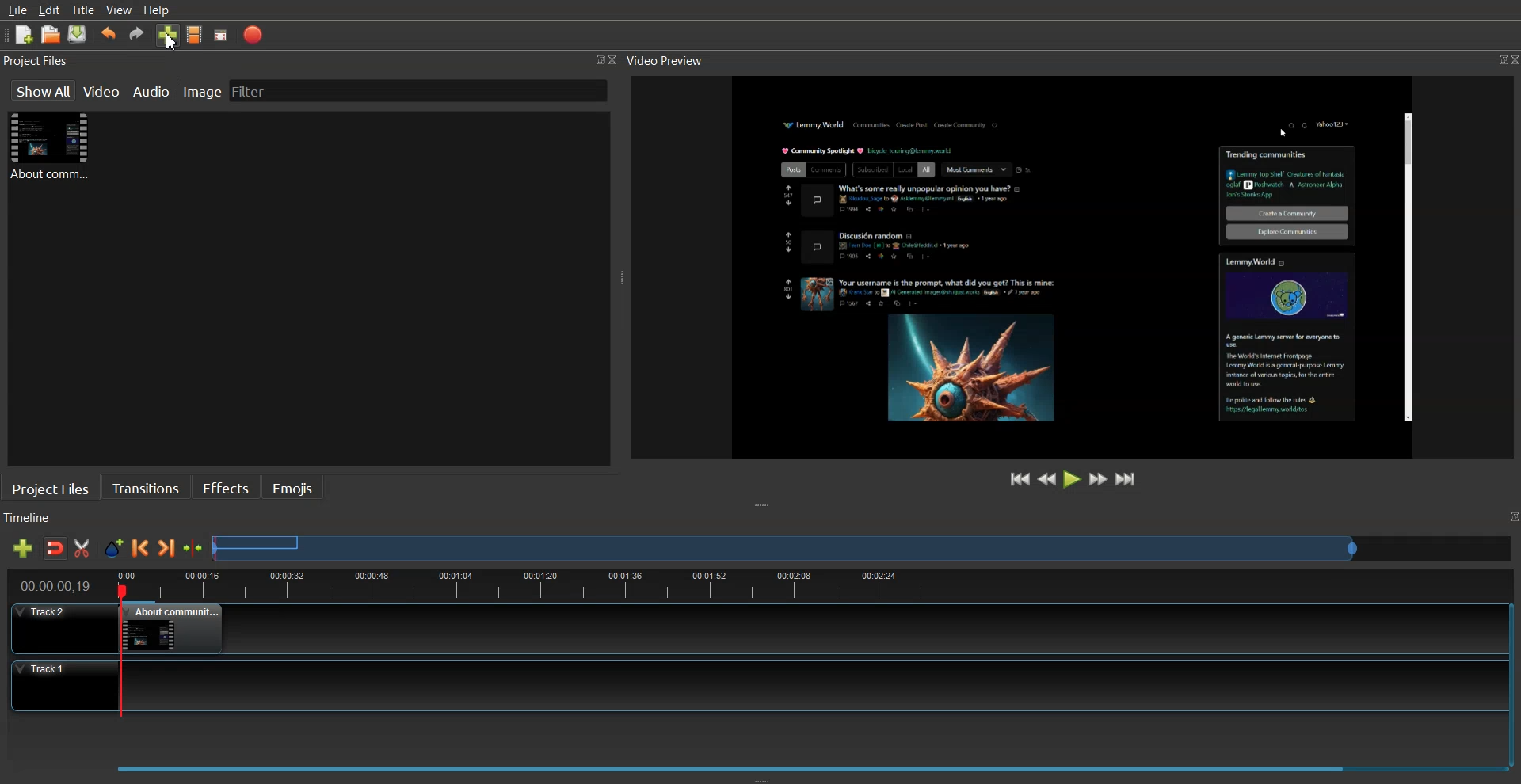 This screenshot has height=784, width=1521. I want to click on File Preview, so click(1050, 263).